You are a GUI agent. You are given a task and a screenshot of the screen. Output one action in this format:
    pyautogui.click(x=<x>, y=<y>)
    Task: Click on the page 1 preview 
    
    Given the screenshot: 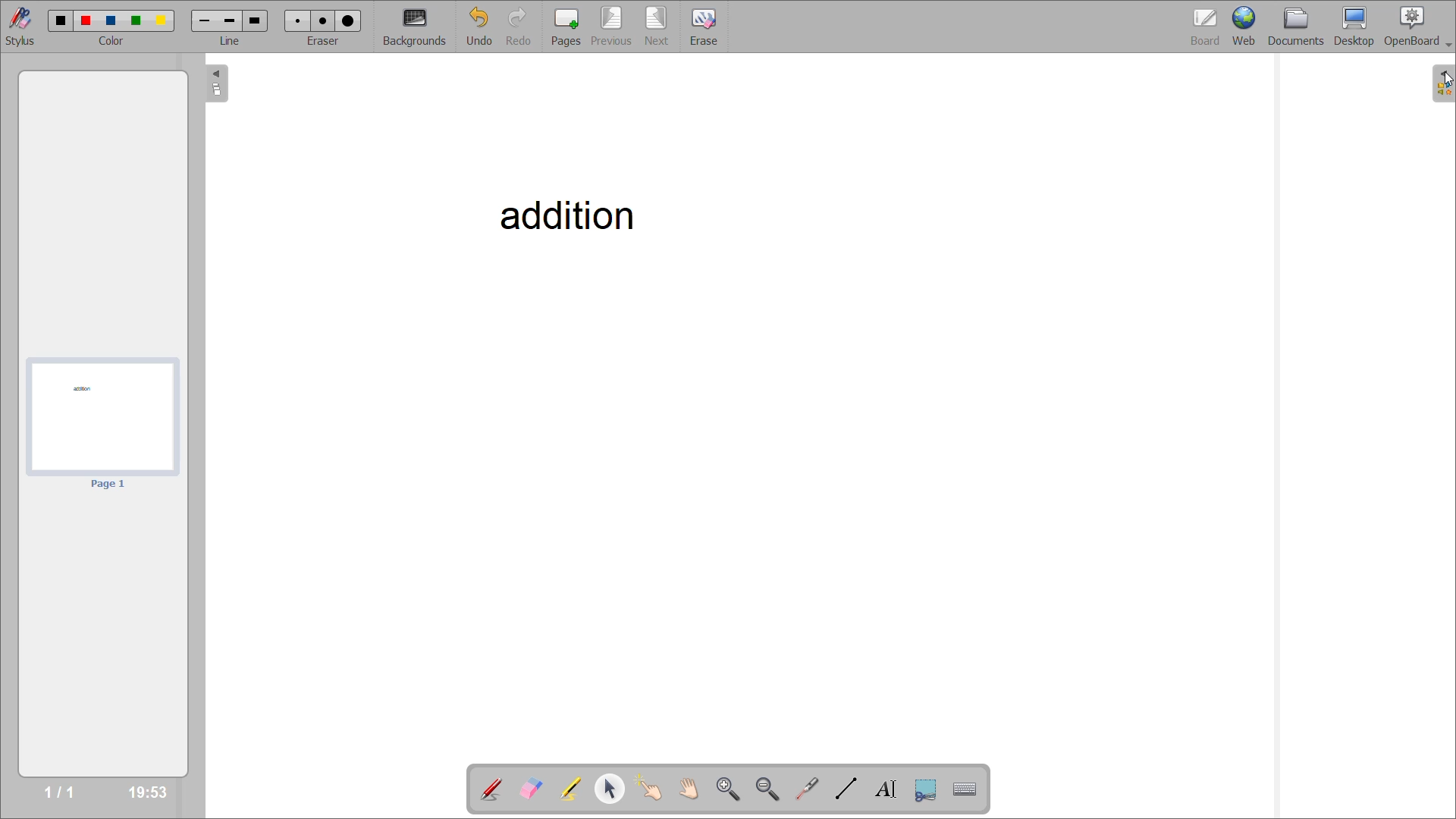 What is the action you would take?
    pyautogui.click(x=104, y=416)
    